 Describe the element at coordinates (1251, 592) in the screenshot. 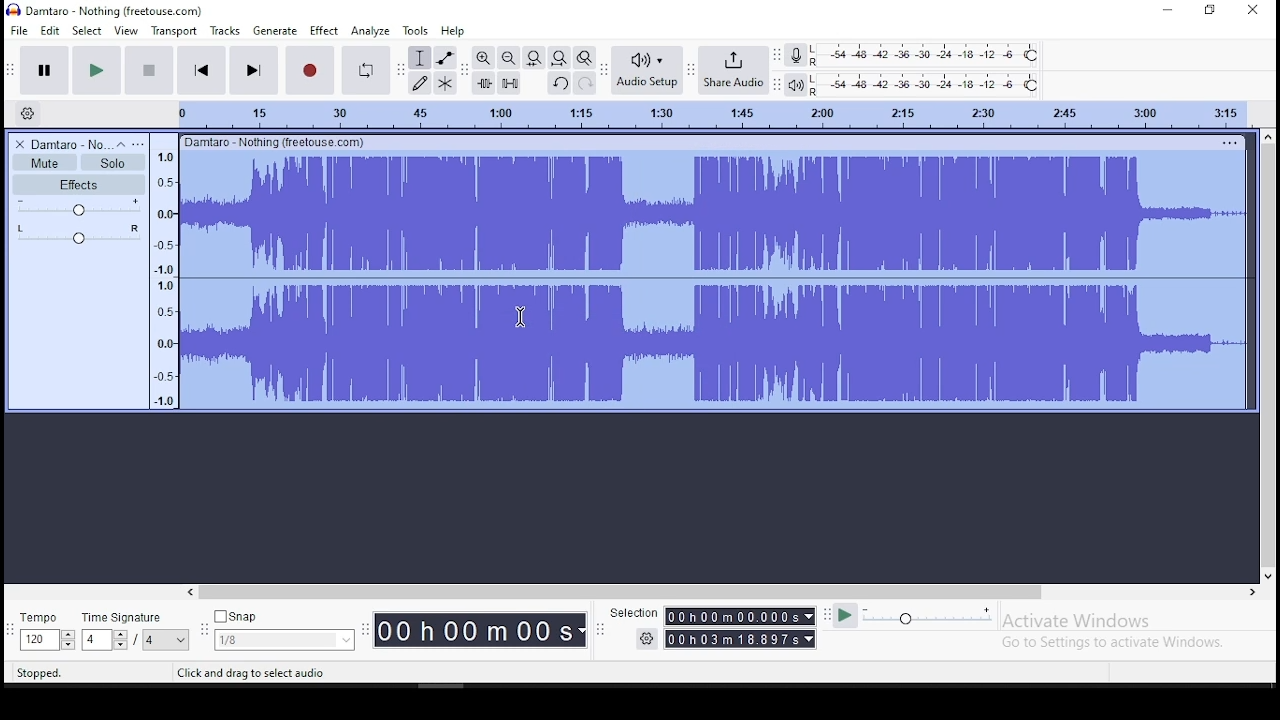

I see `scroll right` at that location.